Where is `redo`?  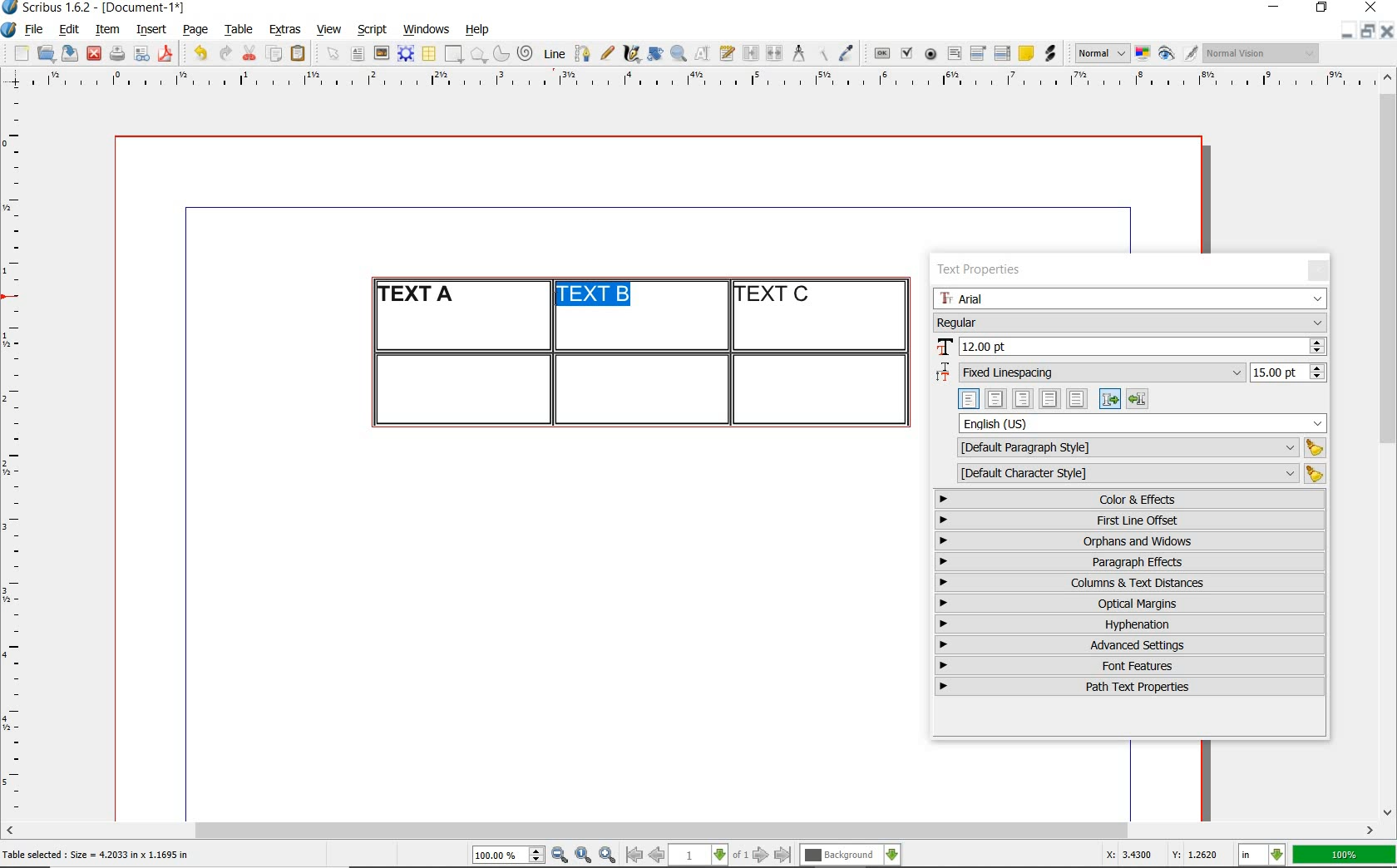 redo is located at coordinates (224, 52).